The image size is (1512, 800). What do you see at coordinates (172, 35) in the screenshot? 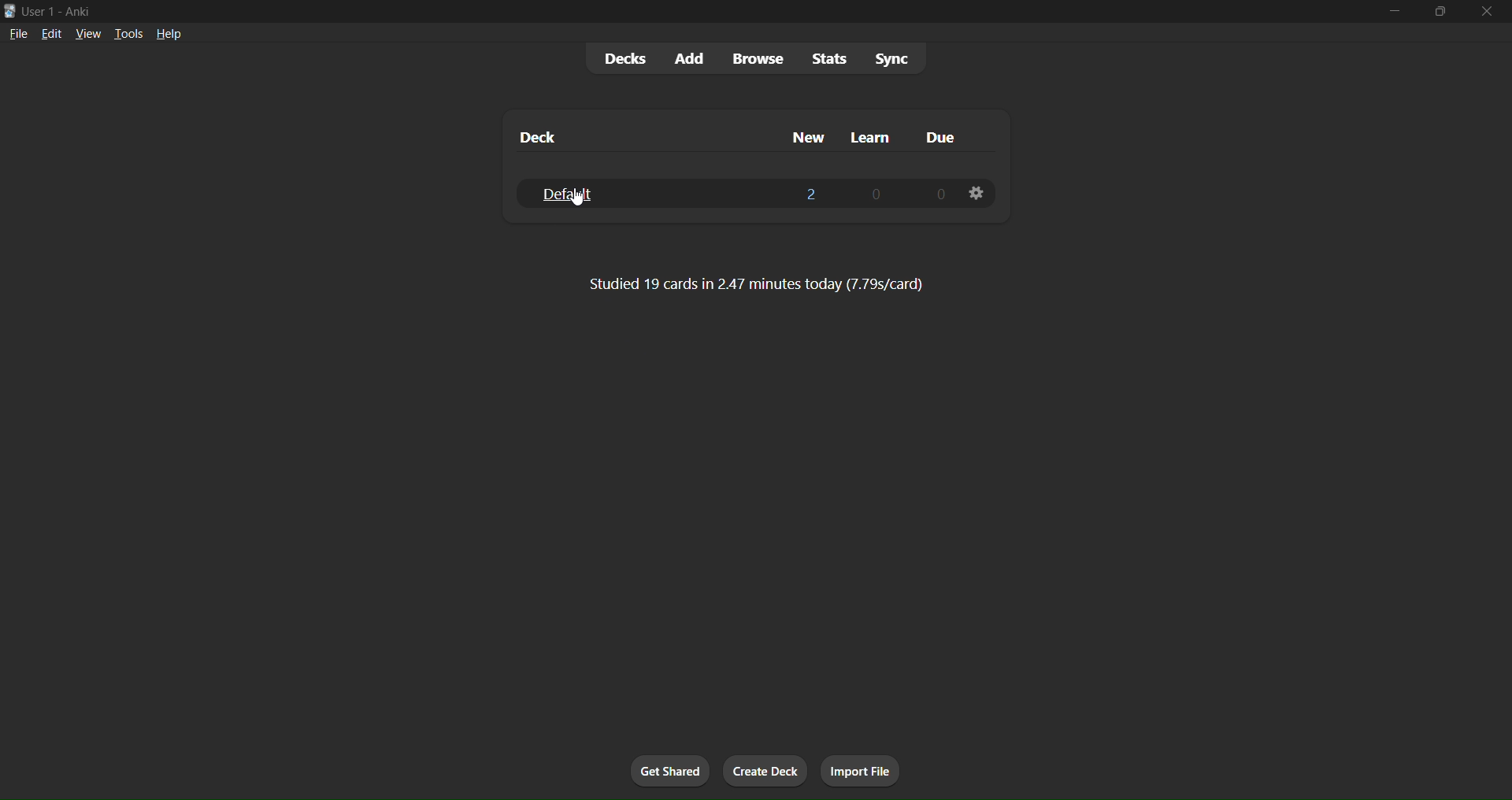
I see `help` at bounding box center [172, 35].